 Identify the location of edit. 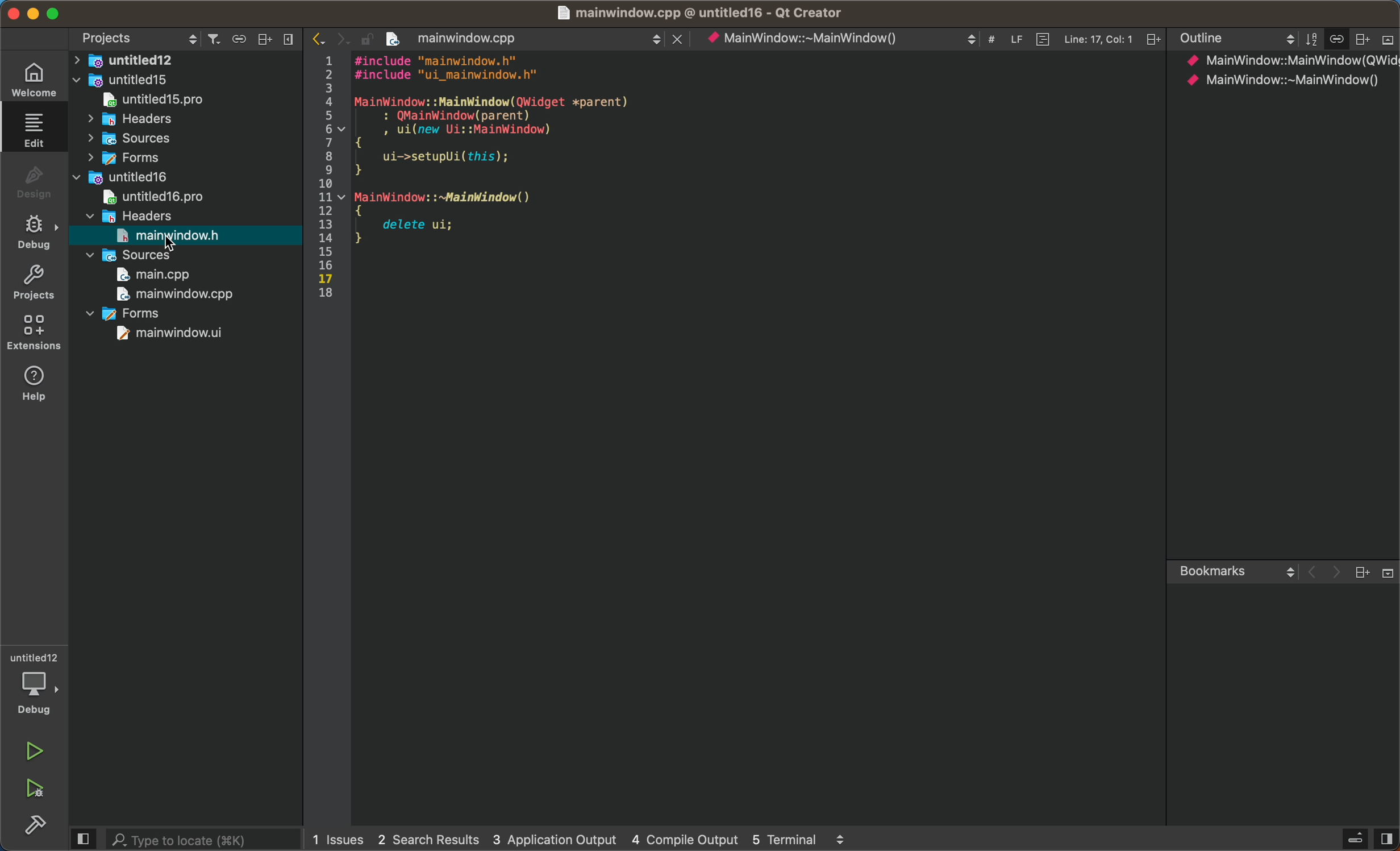
(32, 127).